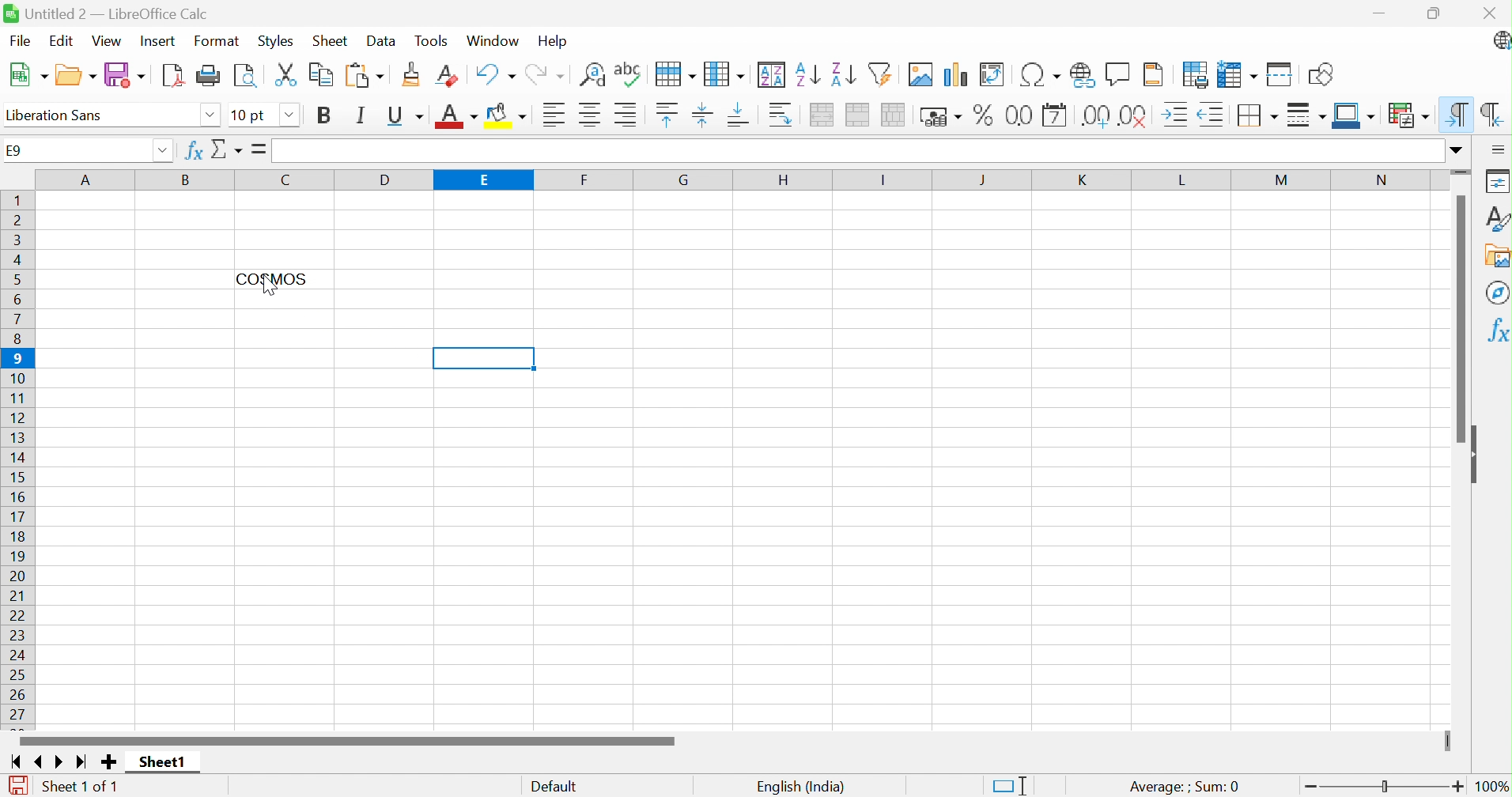 The image size is (1512, 797). I want to click on Auto filter, so click(880, 74).